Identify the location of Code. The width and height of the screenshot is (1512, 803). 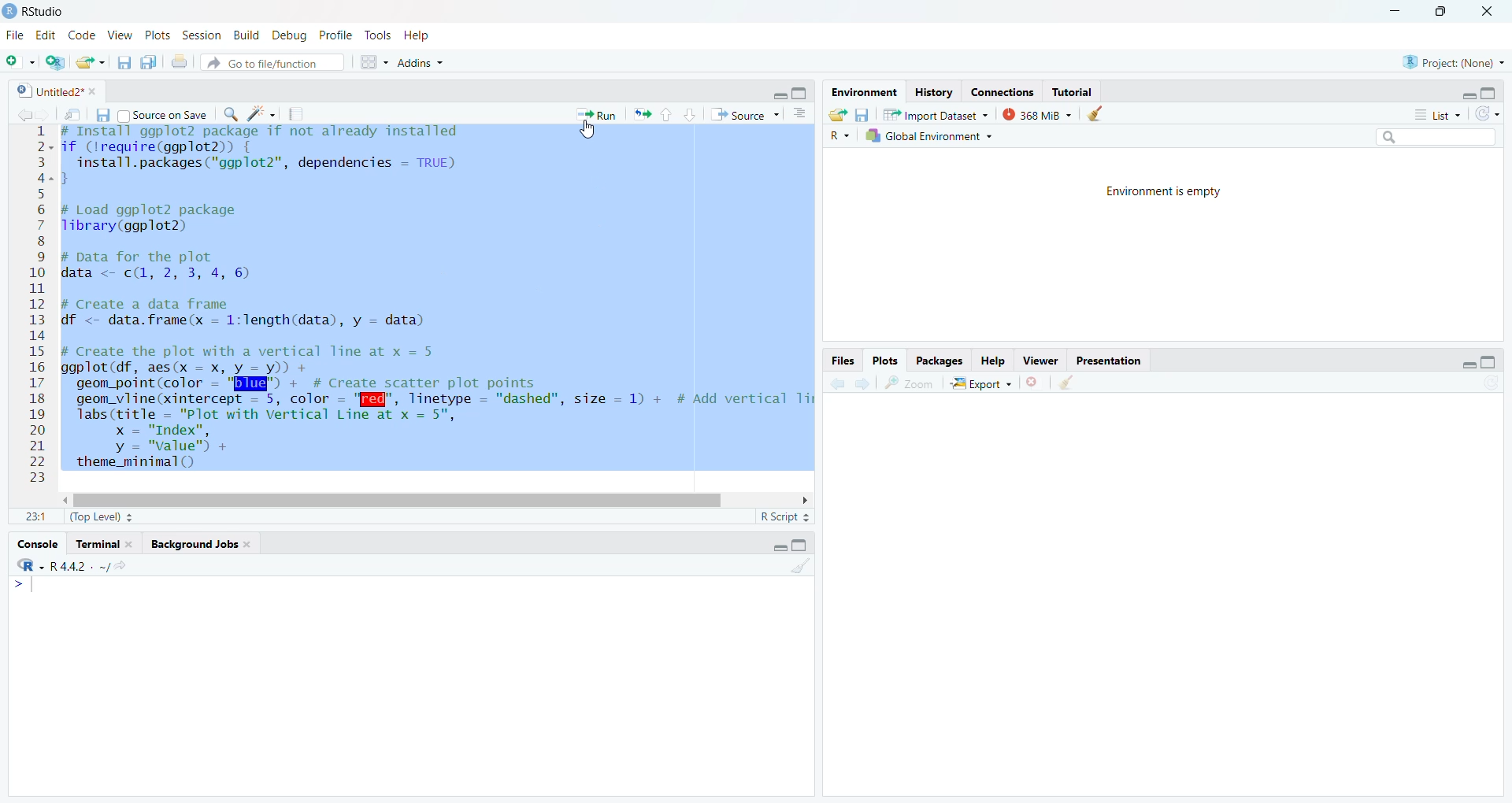
(83, 36).